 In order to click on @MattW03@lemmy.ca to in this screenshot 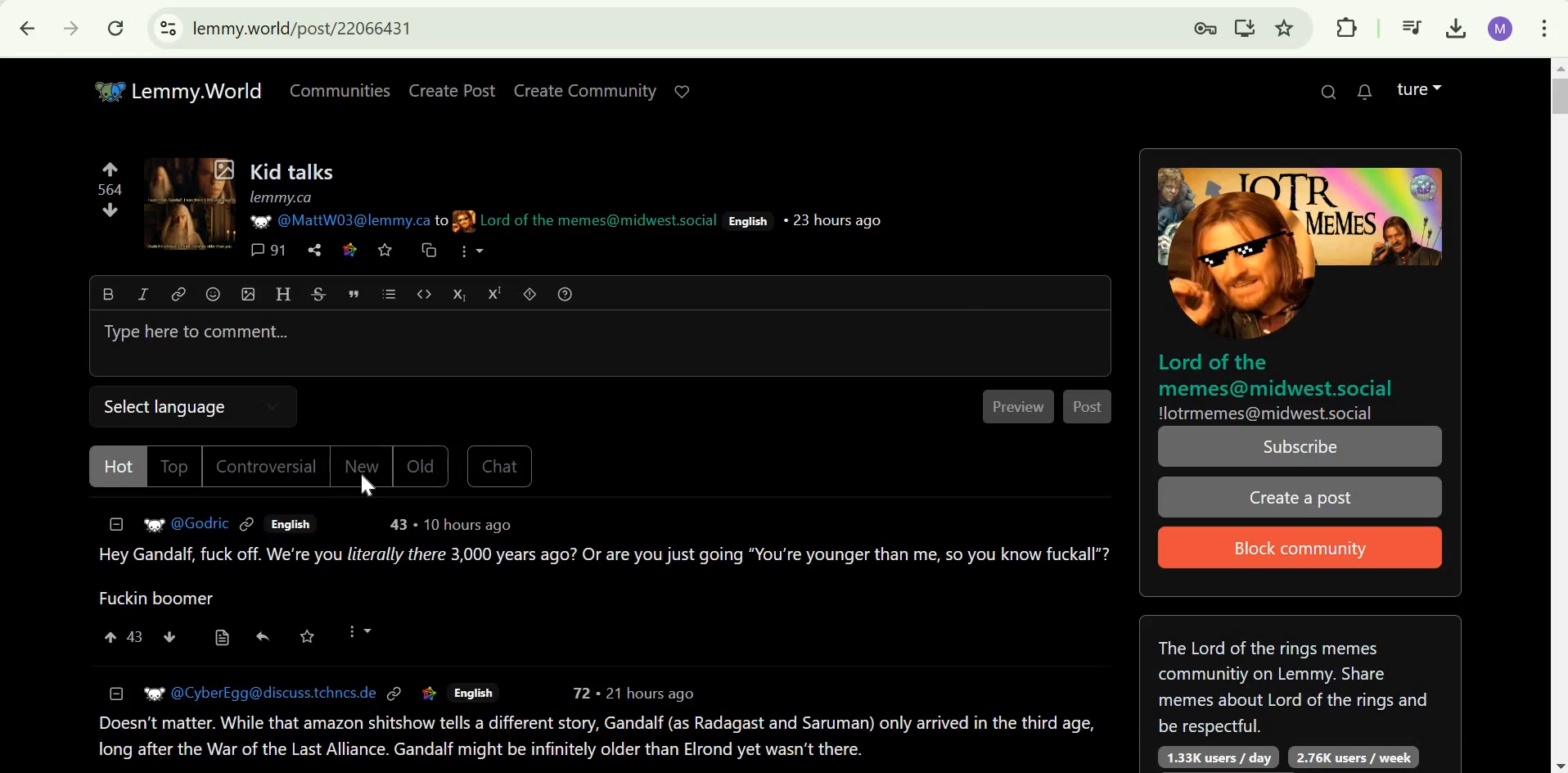, I will do `click(359, 220)`.